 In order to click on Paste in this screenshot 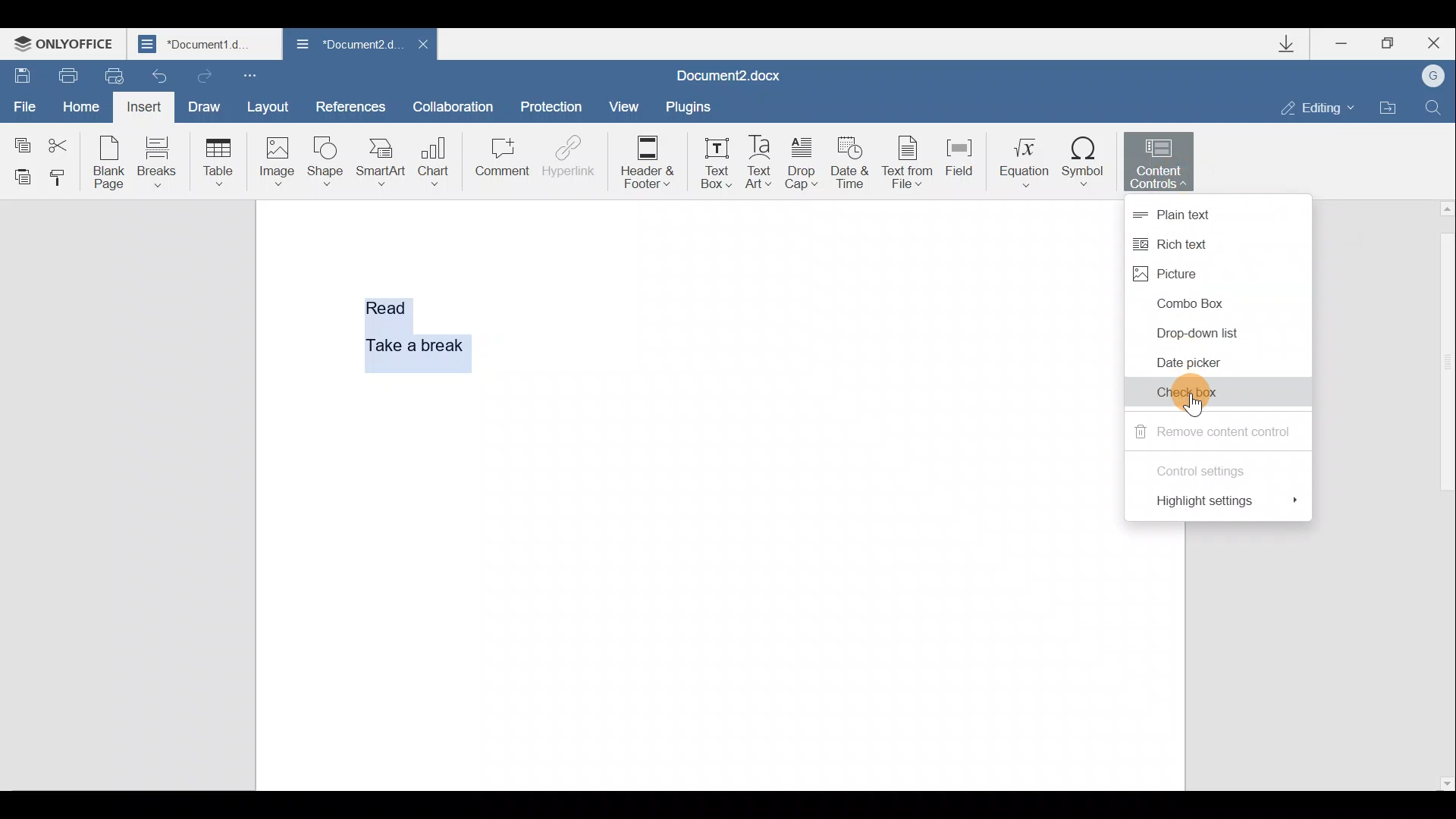, I will do `click(20, 176)`.